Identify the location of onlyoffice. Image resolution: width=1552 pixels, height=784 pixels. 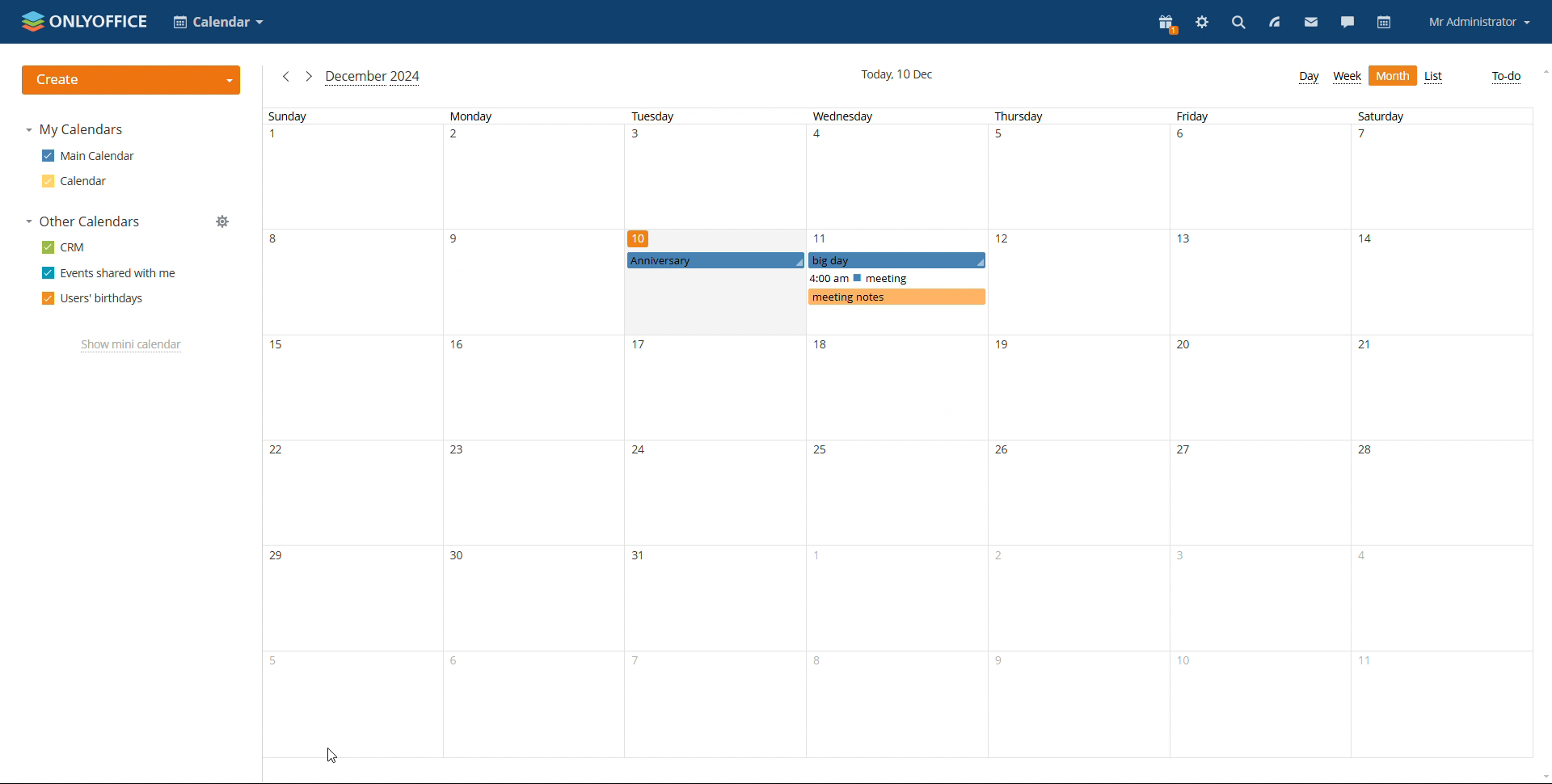
(101, 21).